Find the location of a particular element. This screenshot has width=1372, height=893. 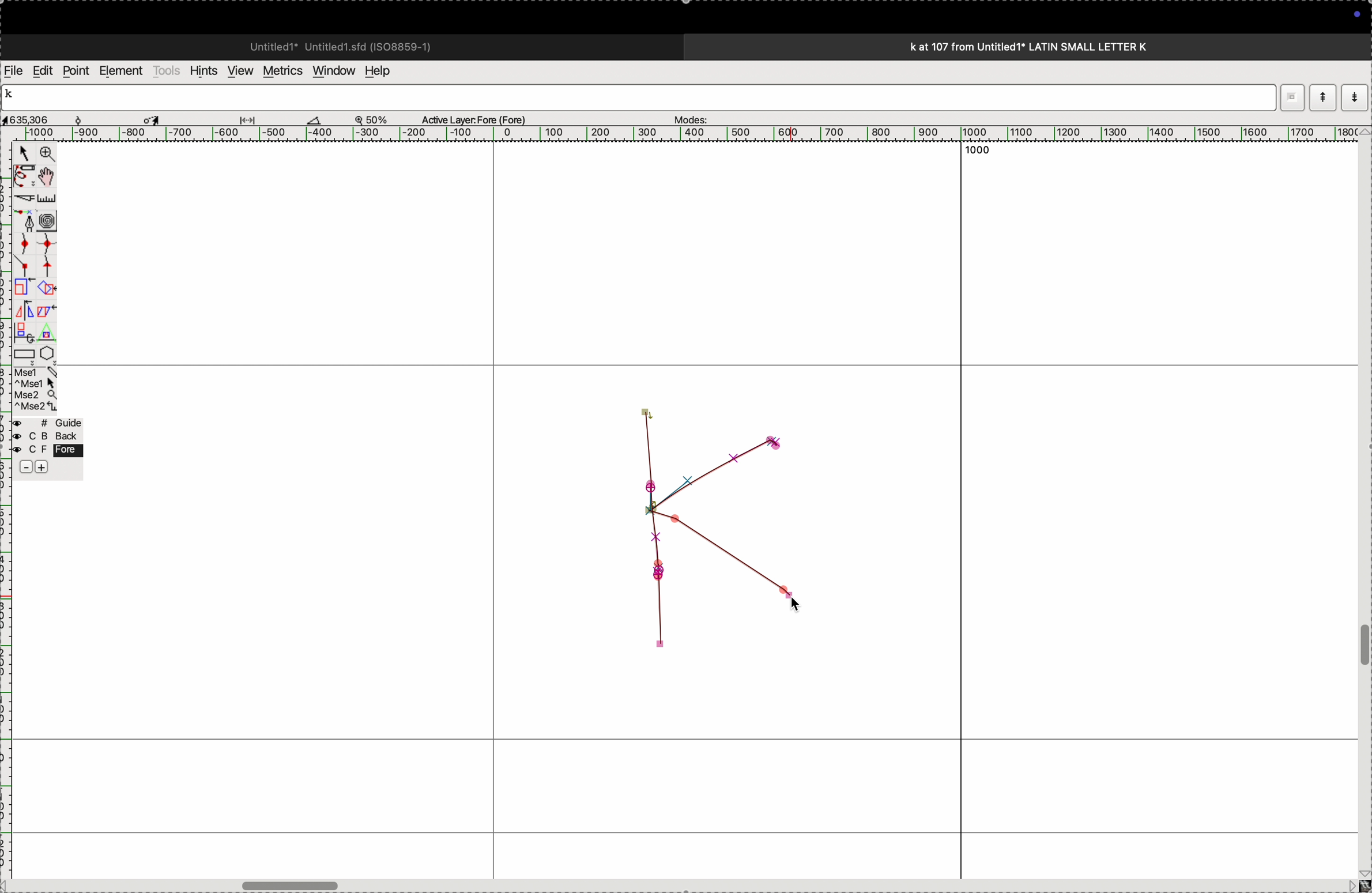

window is located at coordinates (331, 70).